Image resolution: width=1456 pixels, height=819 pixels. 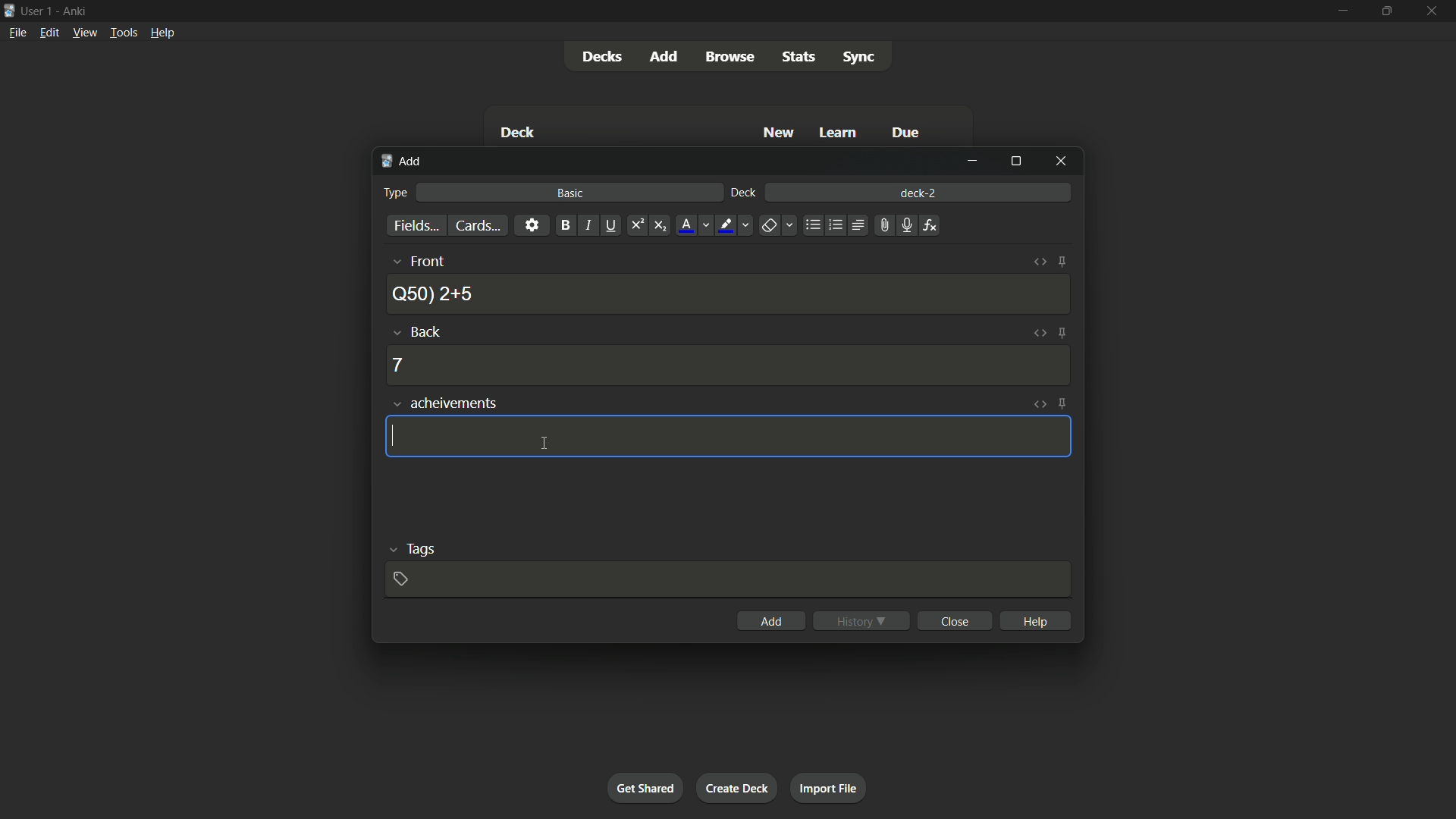 What do you see at coordinates (645, 789) in the screenshot?
I see `get shared` at bounding box center [645, 789].